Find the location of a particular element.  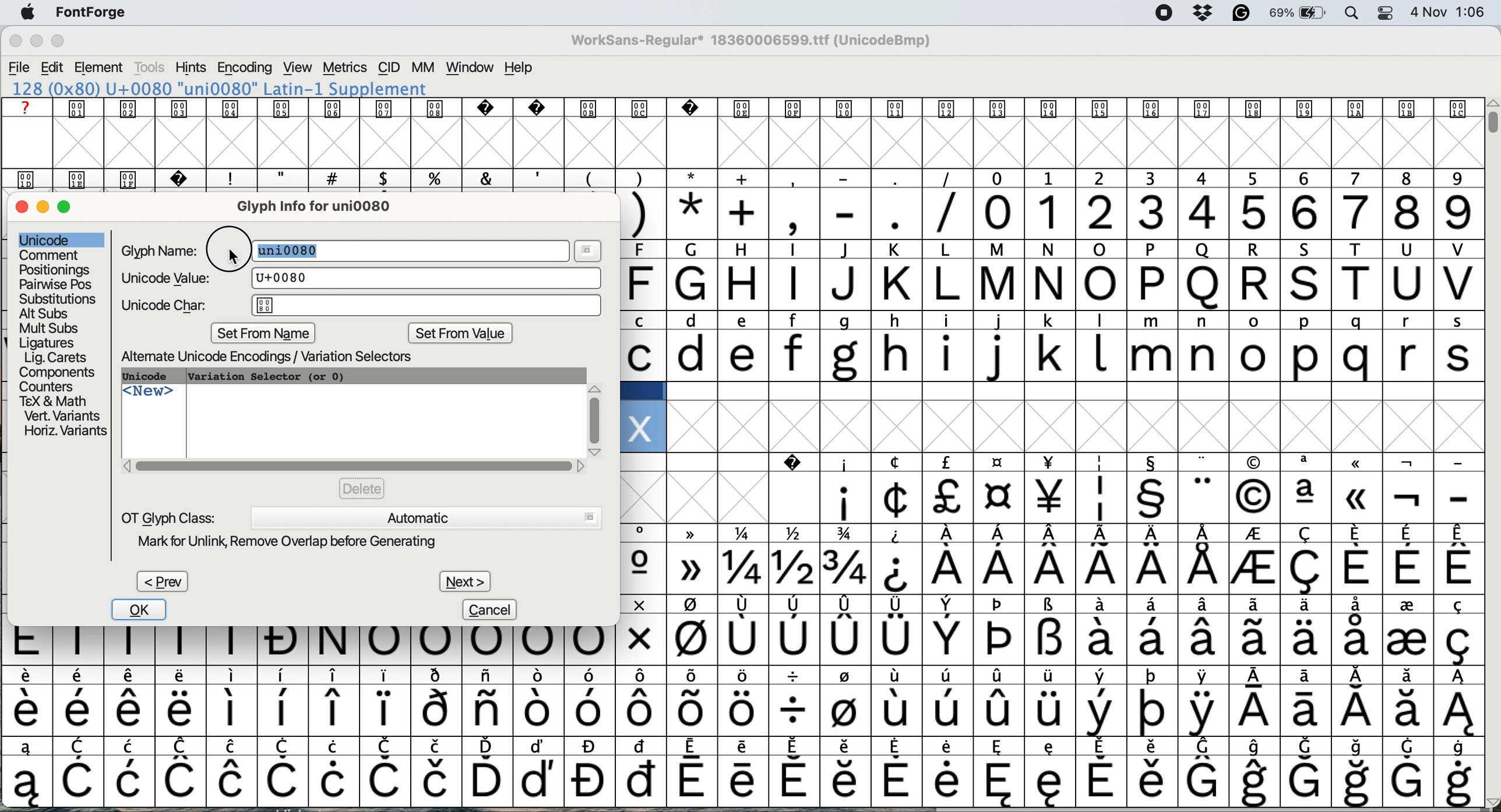

special characters is located at coordinates (737, 647).